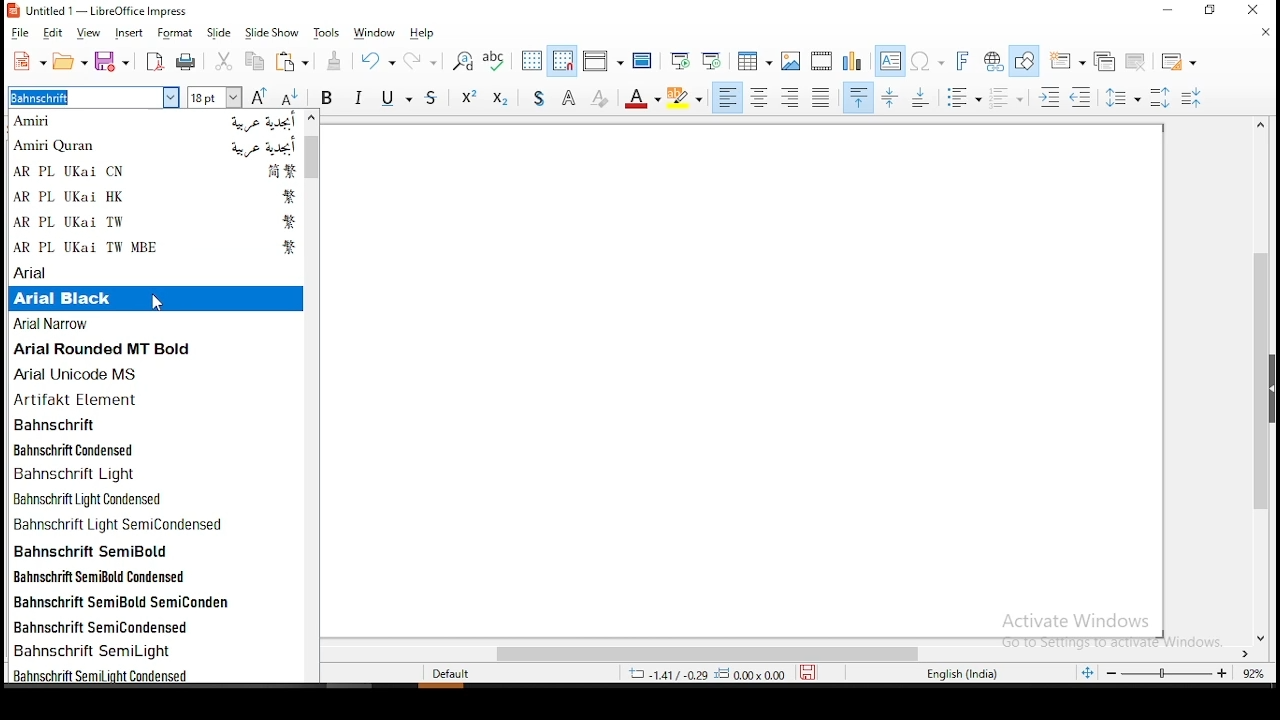  Describe the element at coordinates (1025, 61) in the screenshot. I see `show draw functions` at that location.